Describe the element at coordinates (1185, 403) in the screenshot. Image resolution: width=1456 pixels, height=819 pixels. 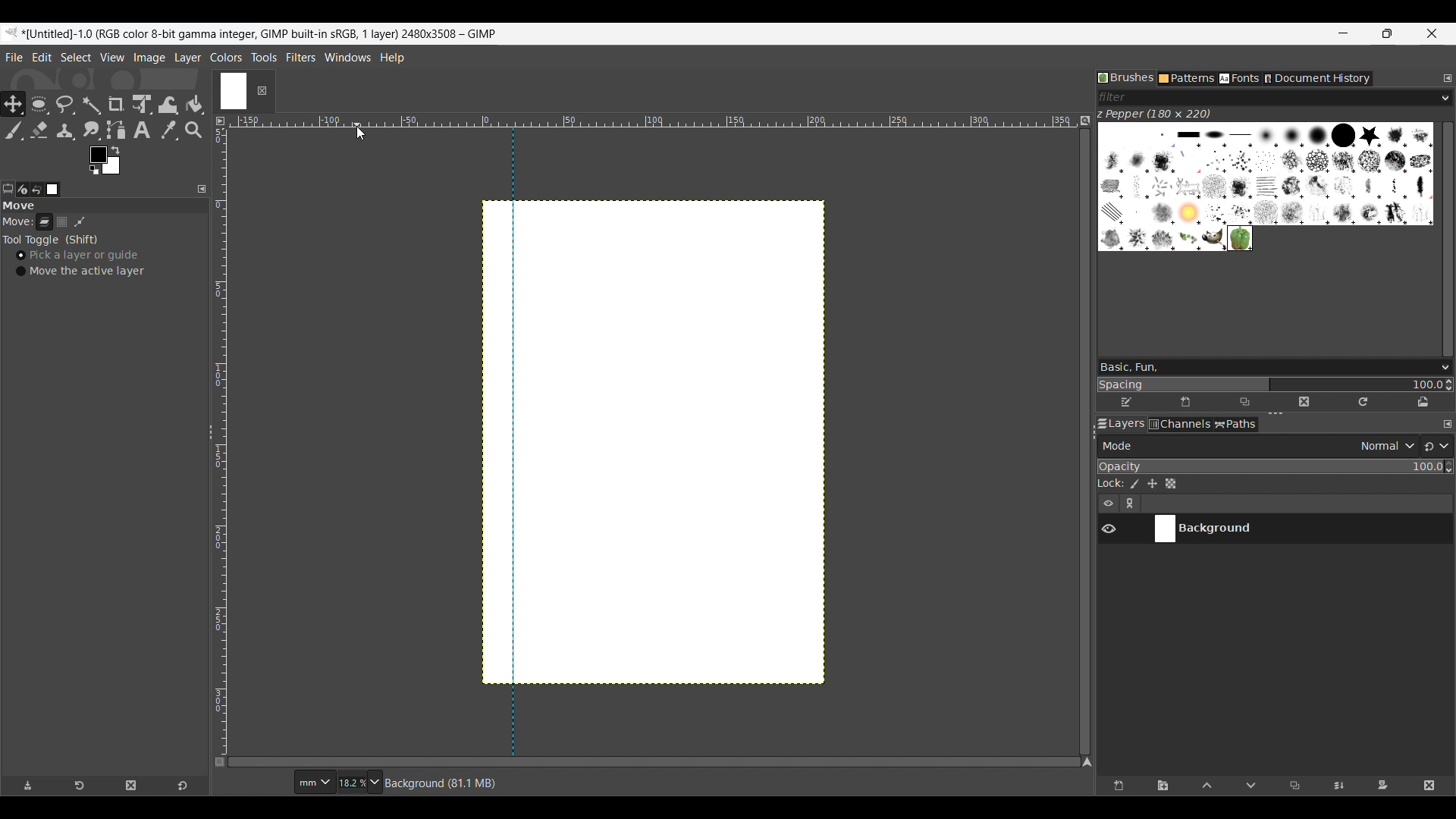
I see `Create new brush` at that location.